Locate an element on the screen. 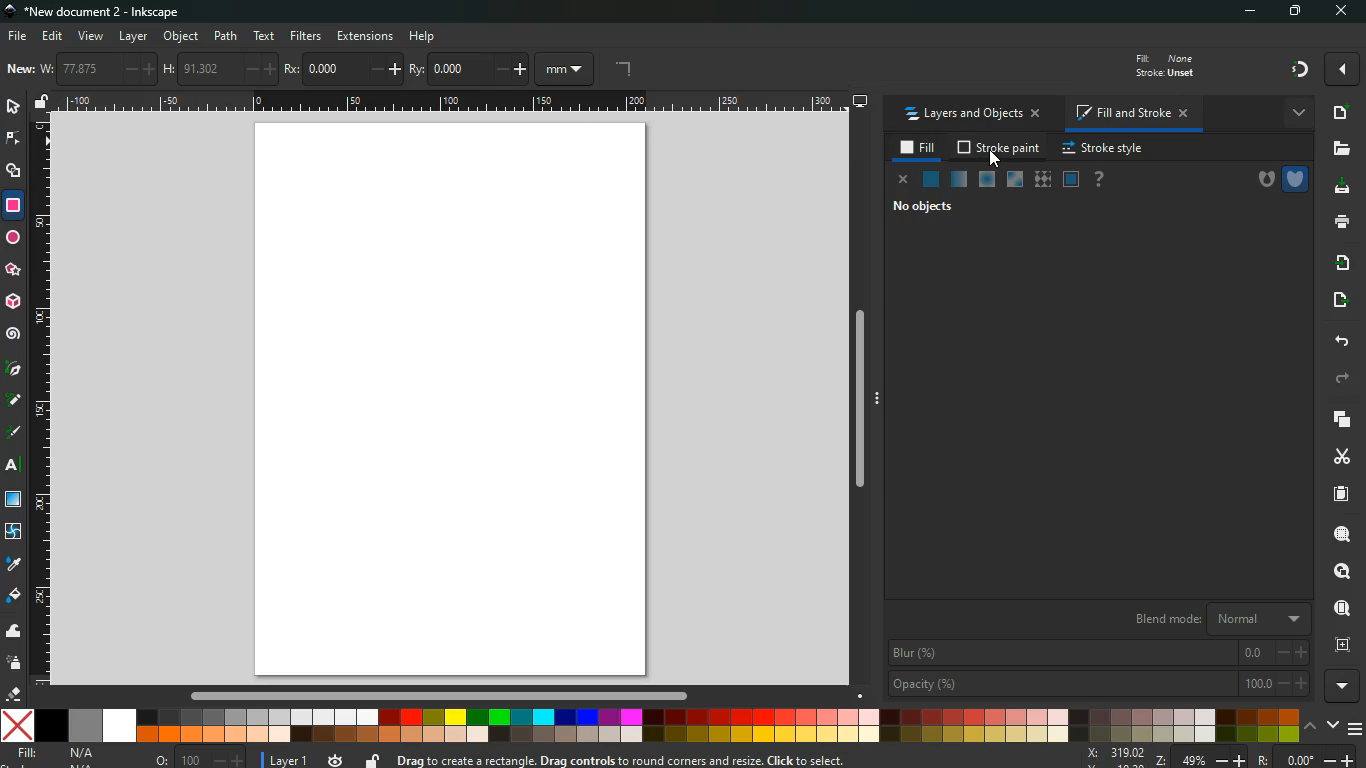  ellipse is located at coordinates (11, 236).